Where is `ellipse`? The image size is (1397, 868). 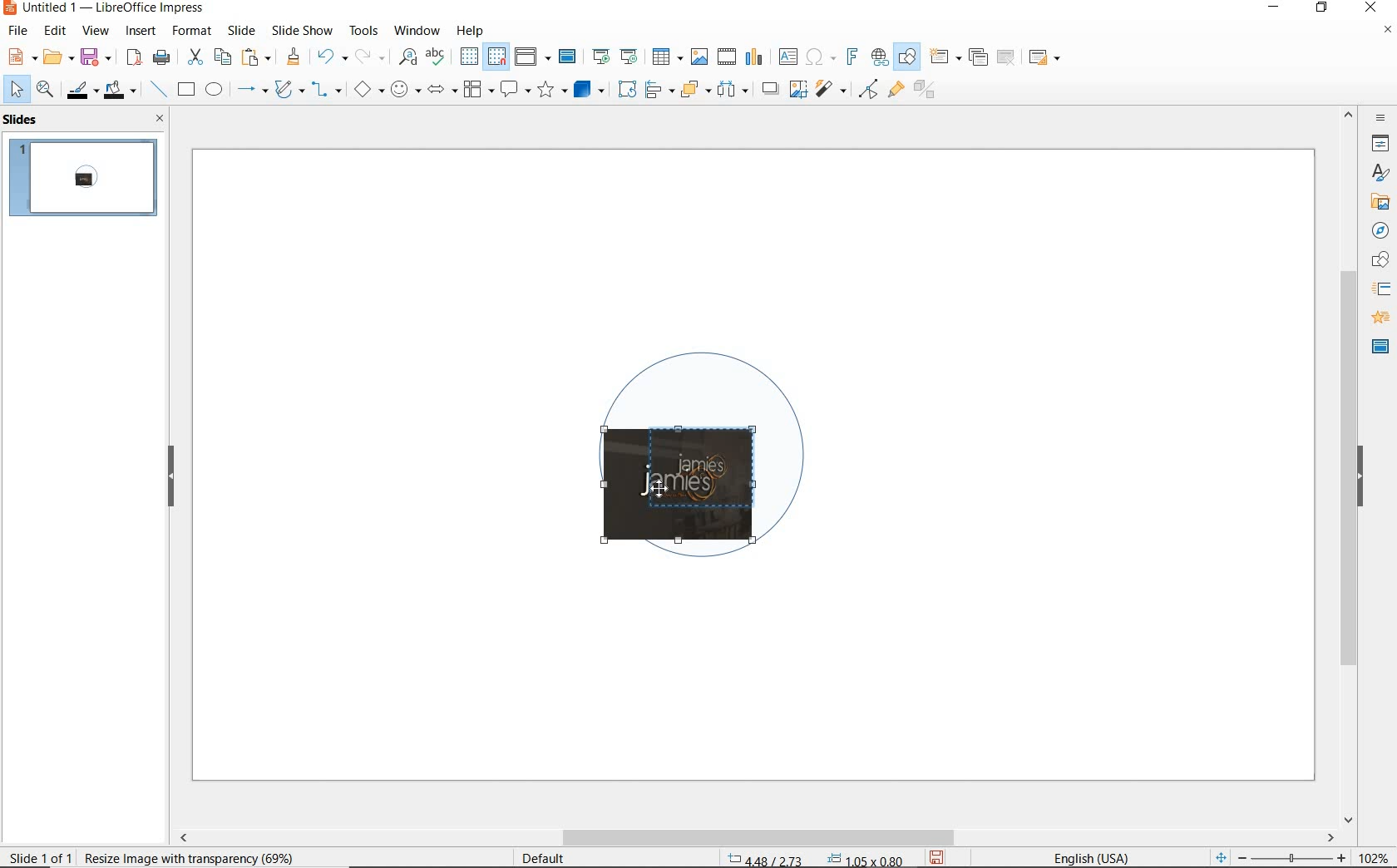 ellipse is located at coordinates (214, 91).